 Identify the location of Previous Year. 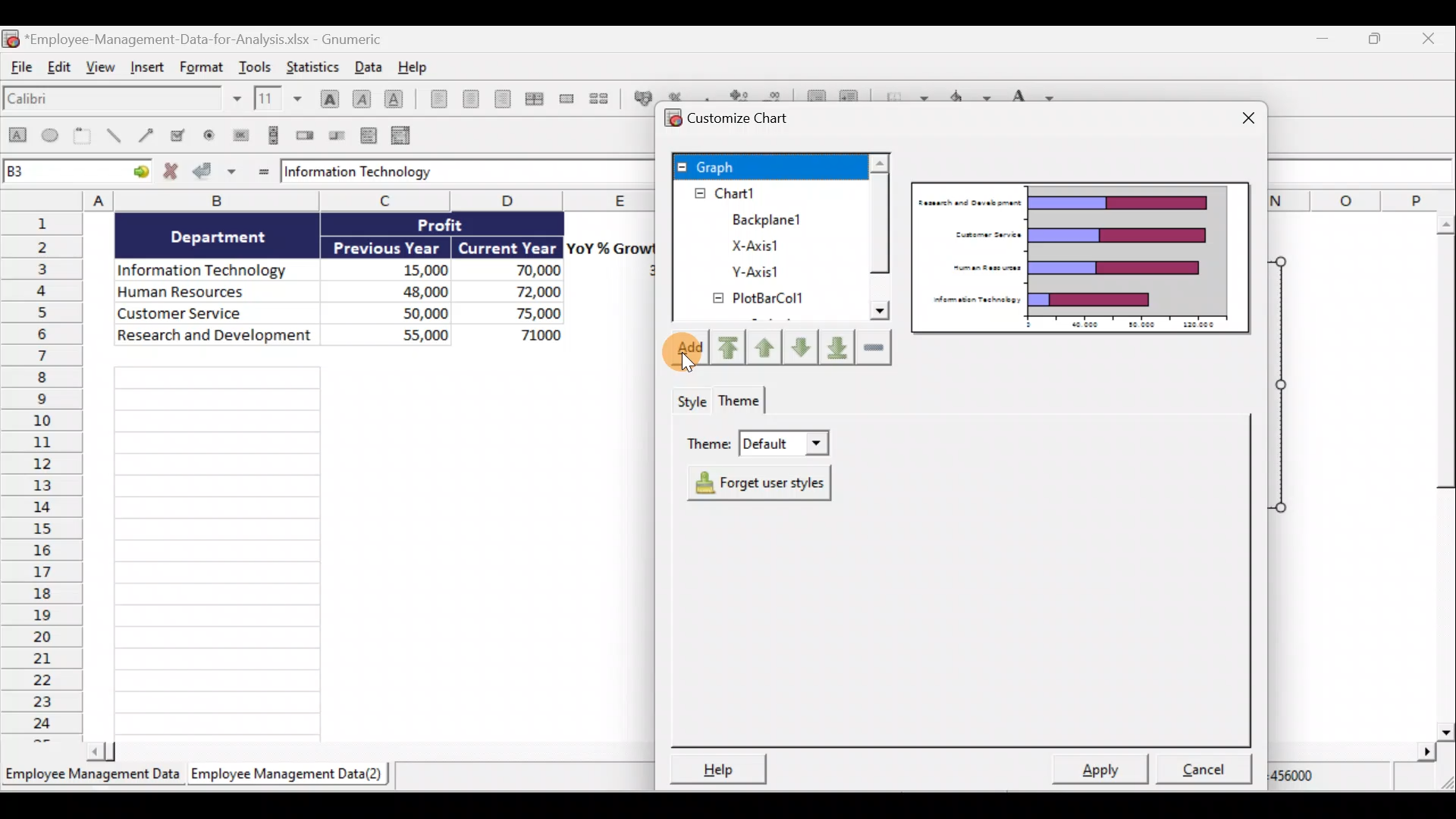
(388, 245).